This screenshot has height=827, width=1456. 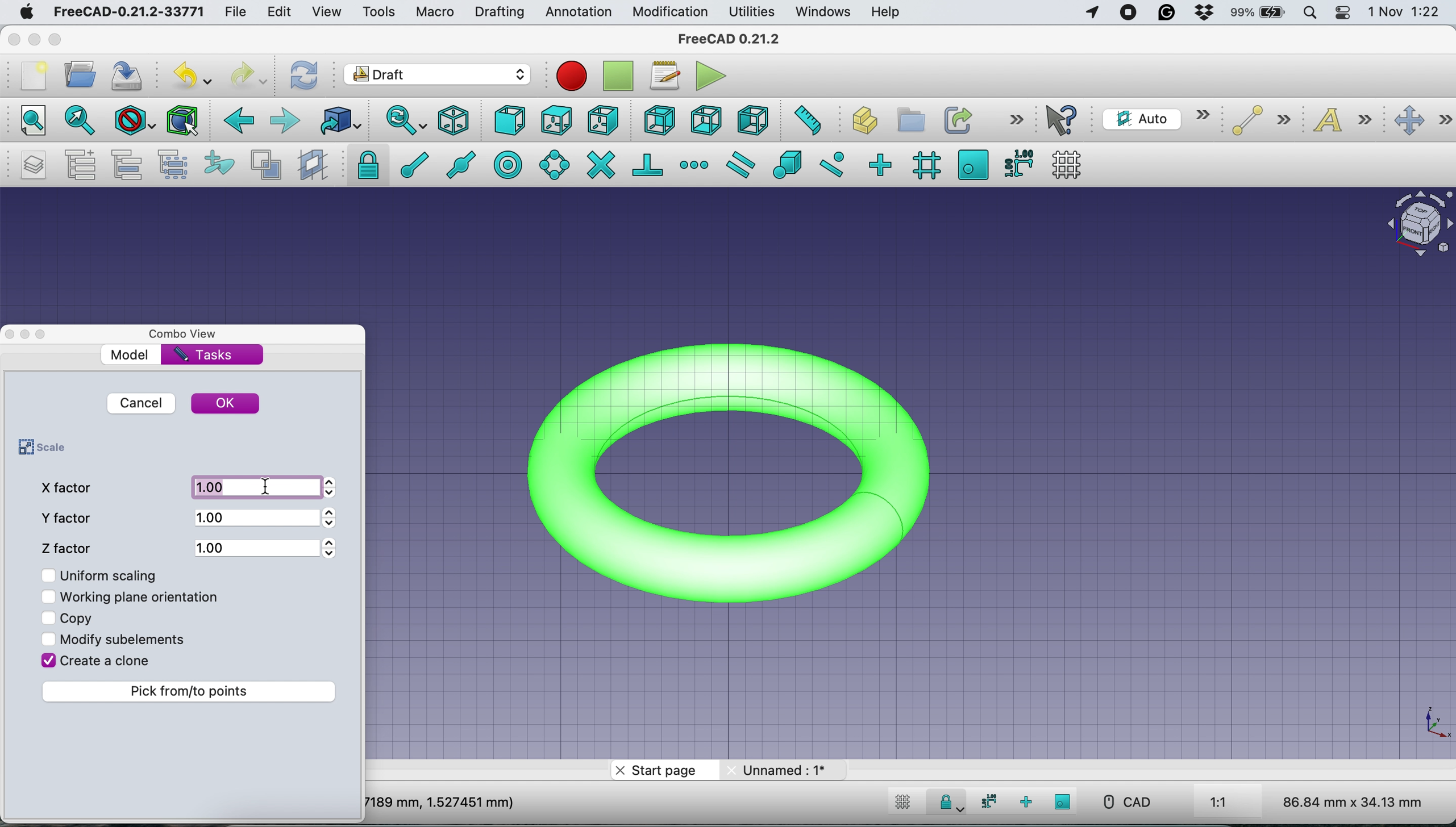 What do you see at coordinates (36, 165) in the screenshot?
I see `manage layers` at bounding box center [36, 165].